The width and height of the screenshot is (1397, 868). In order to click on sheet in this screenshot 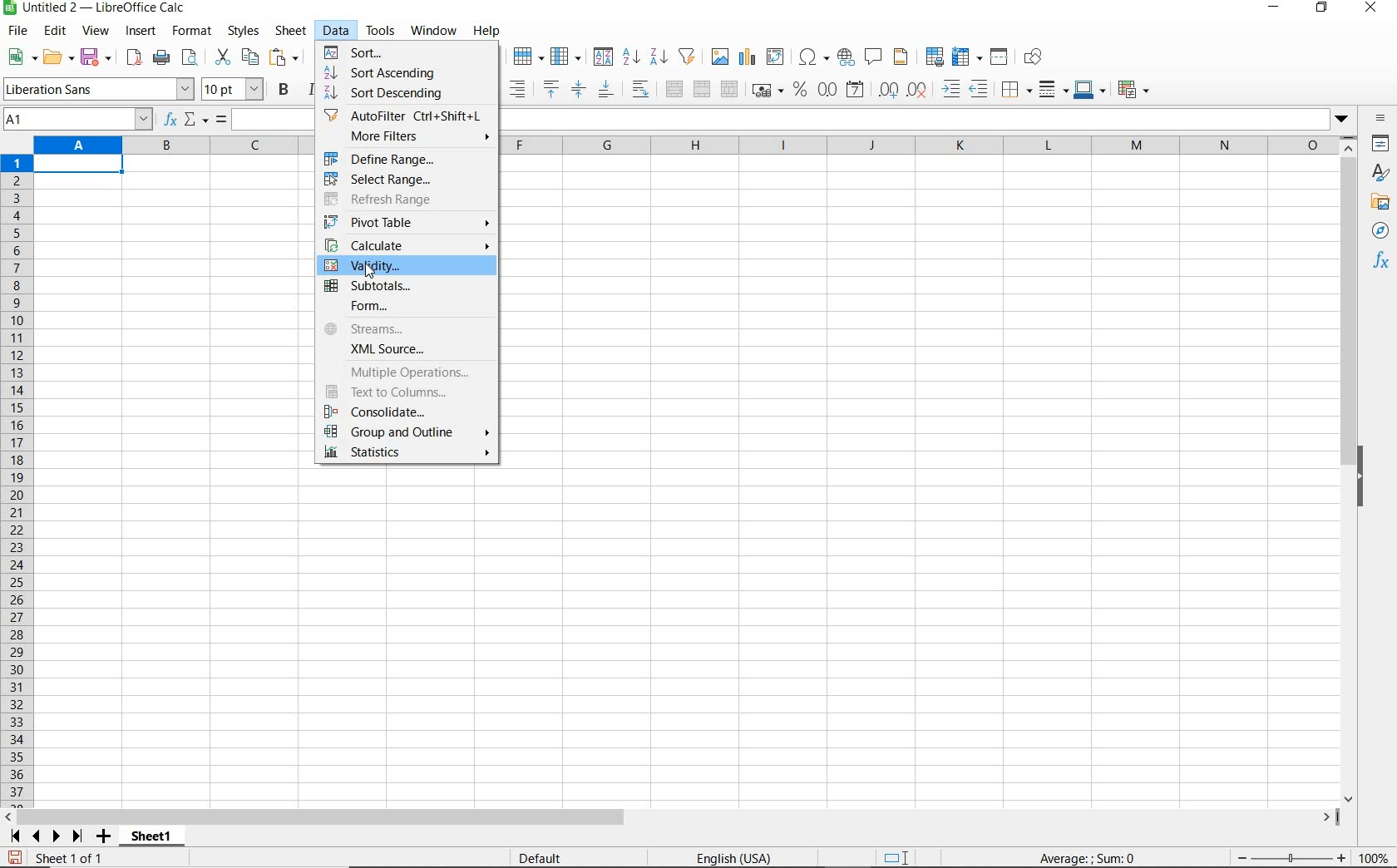, I will do `click(292, 32)`.